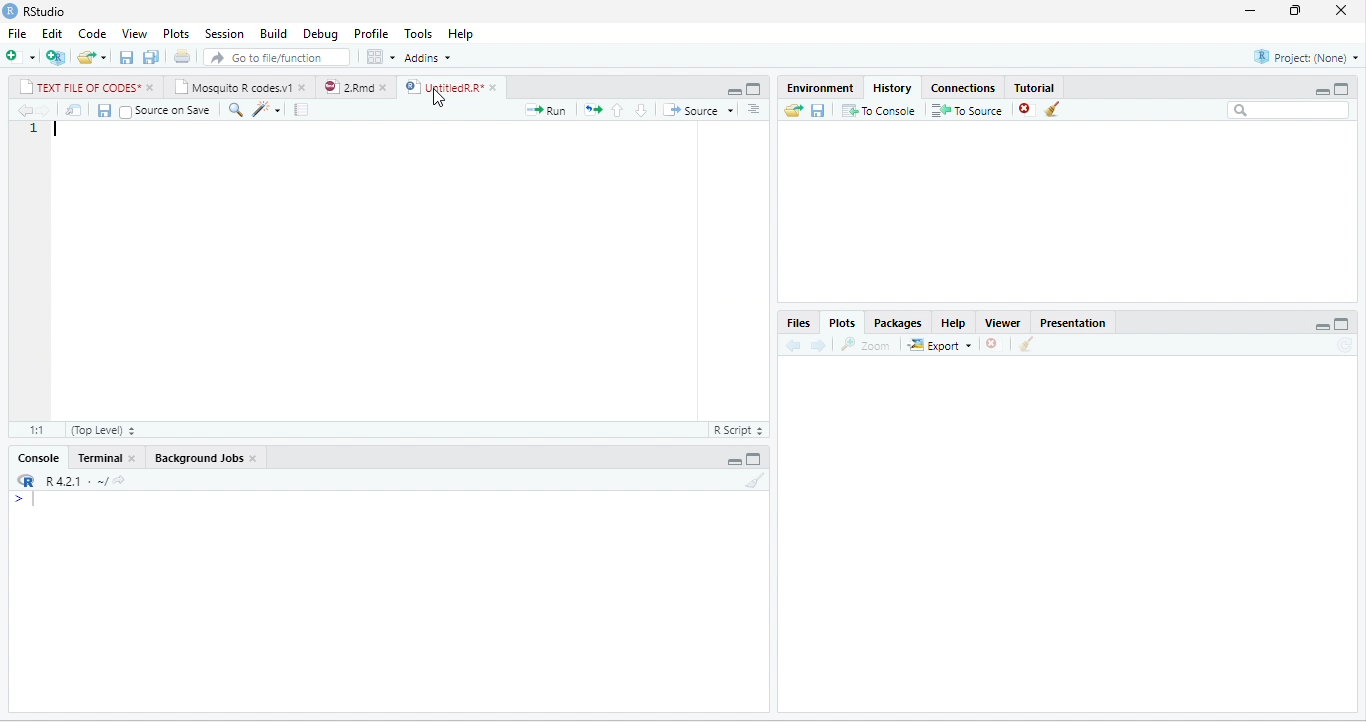 Image resolution: width=1366 pixels, height=722 pixels. What do you see at coordinates (734, 460) in the screenshot?
I see `minimize` at bounding box center [734, 460].